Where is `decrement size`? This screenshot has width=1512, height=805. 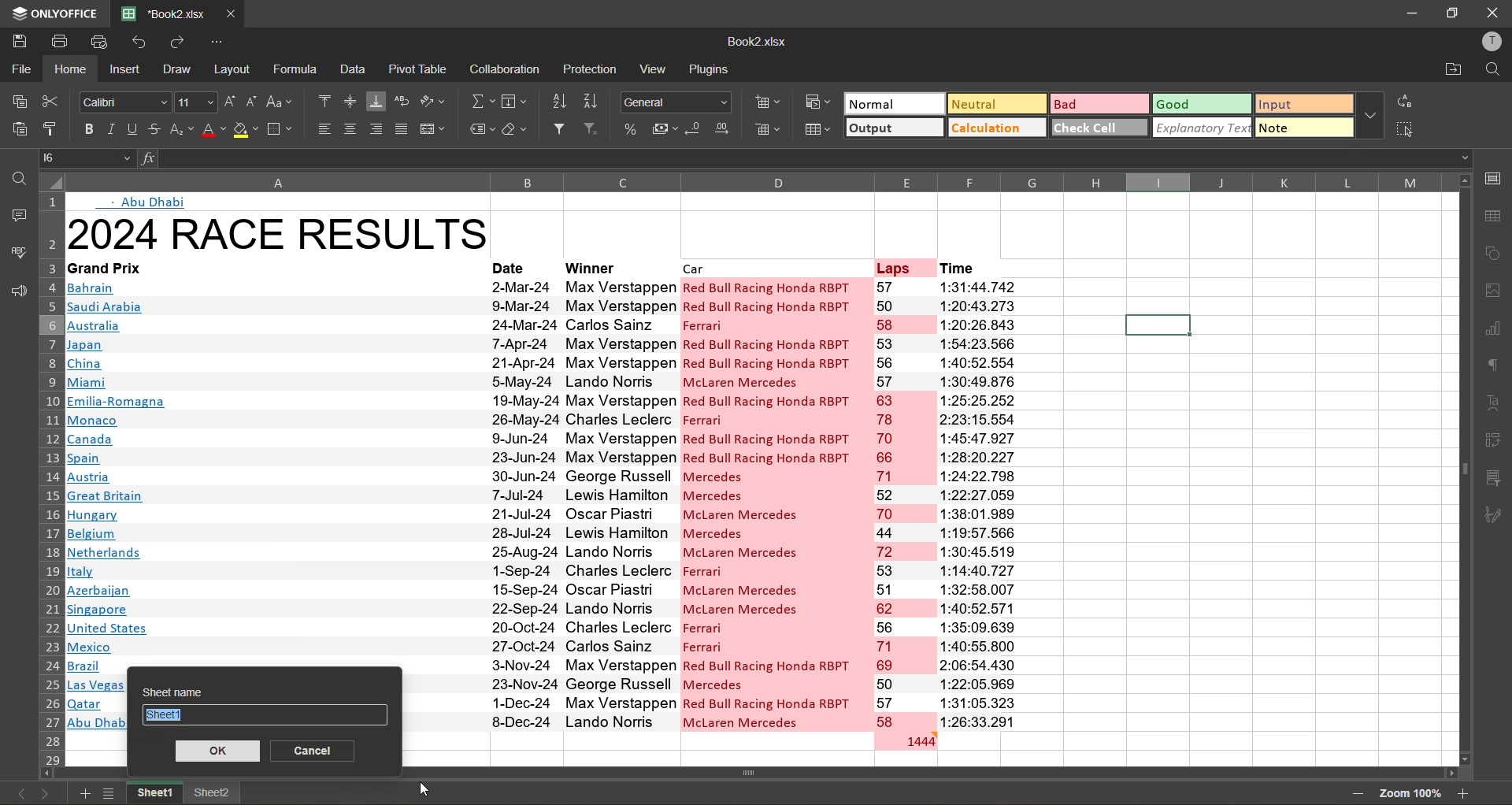
decrement size is located at coordinates (254, 105).